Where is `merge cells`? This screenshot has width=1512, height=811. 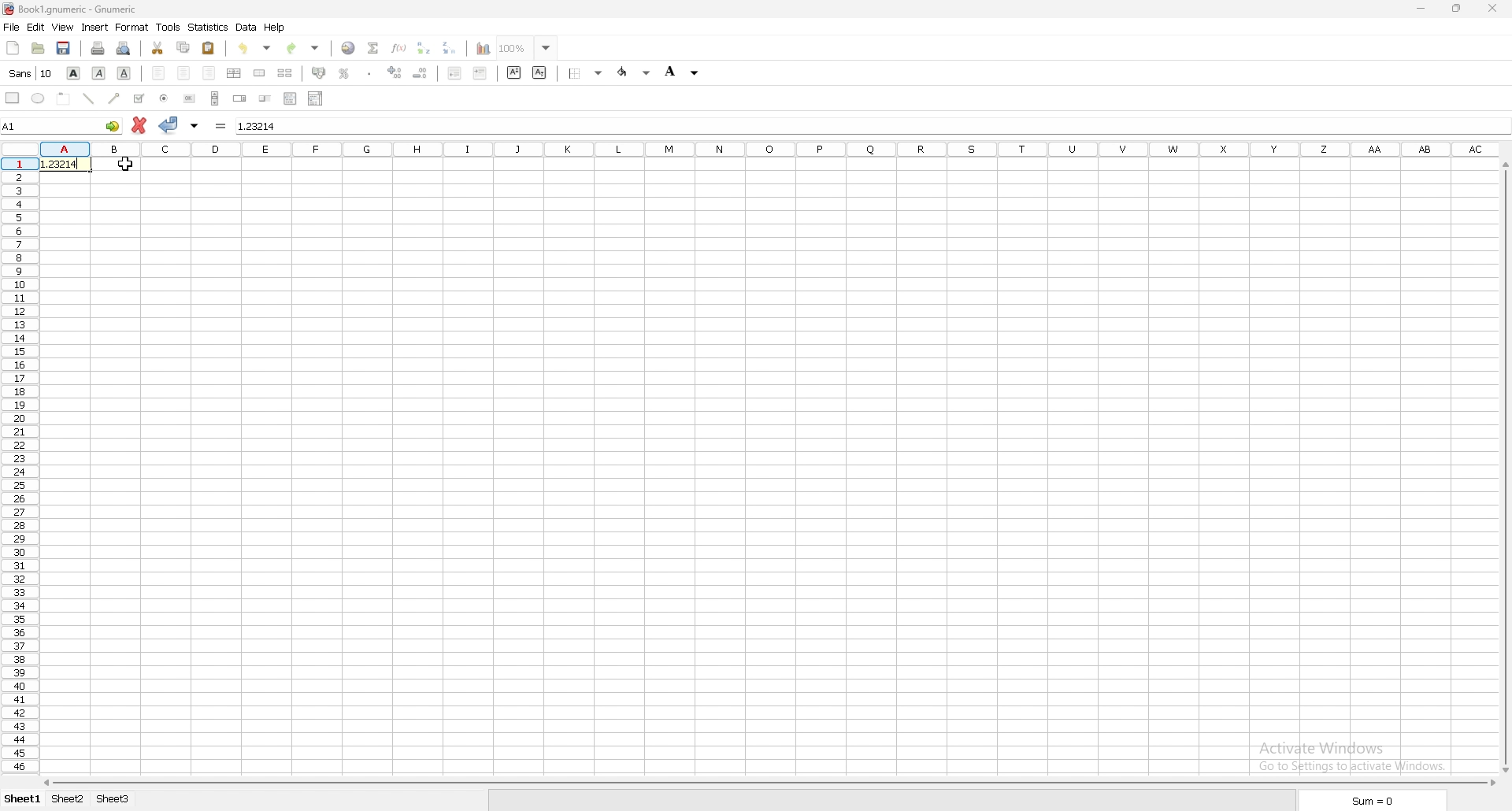
merge cells is located at coordinates (259, 72).